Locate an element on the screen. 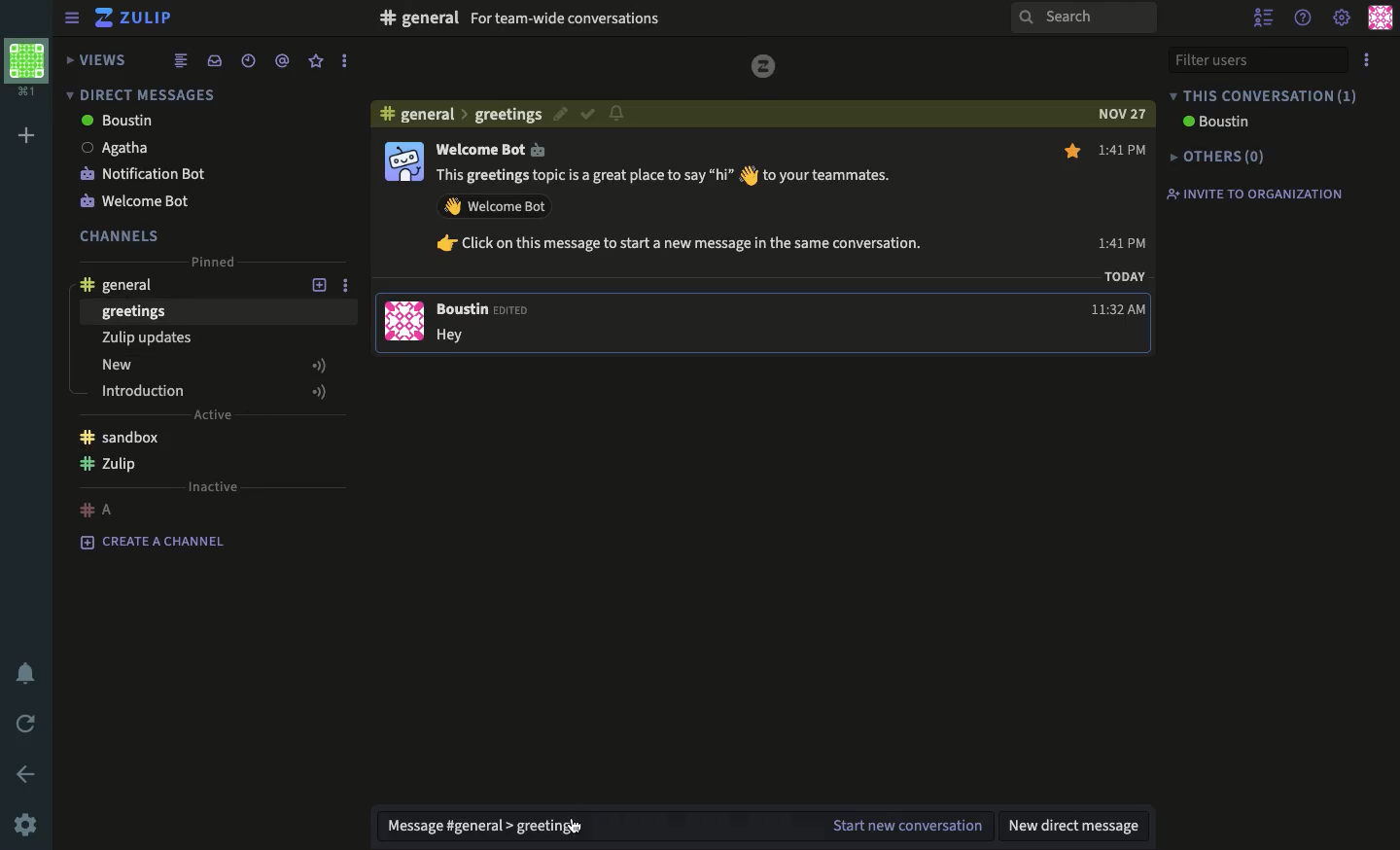  workspace is located at coordinates (30, 66).